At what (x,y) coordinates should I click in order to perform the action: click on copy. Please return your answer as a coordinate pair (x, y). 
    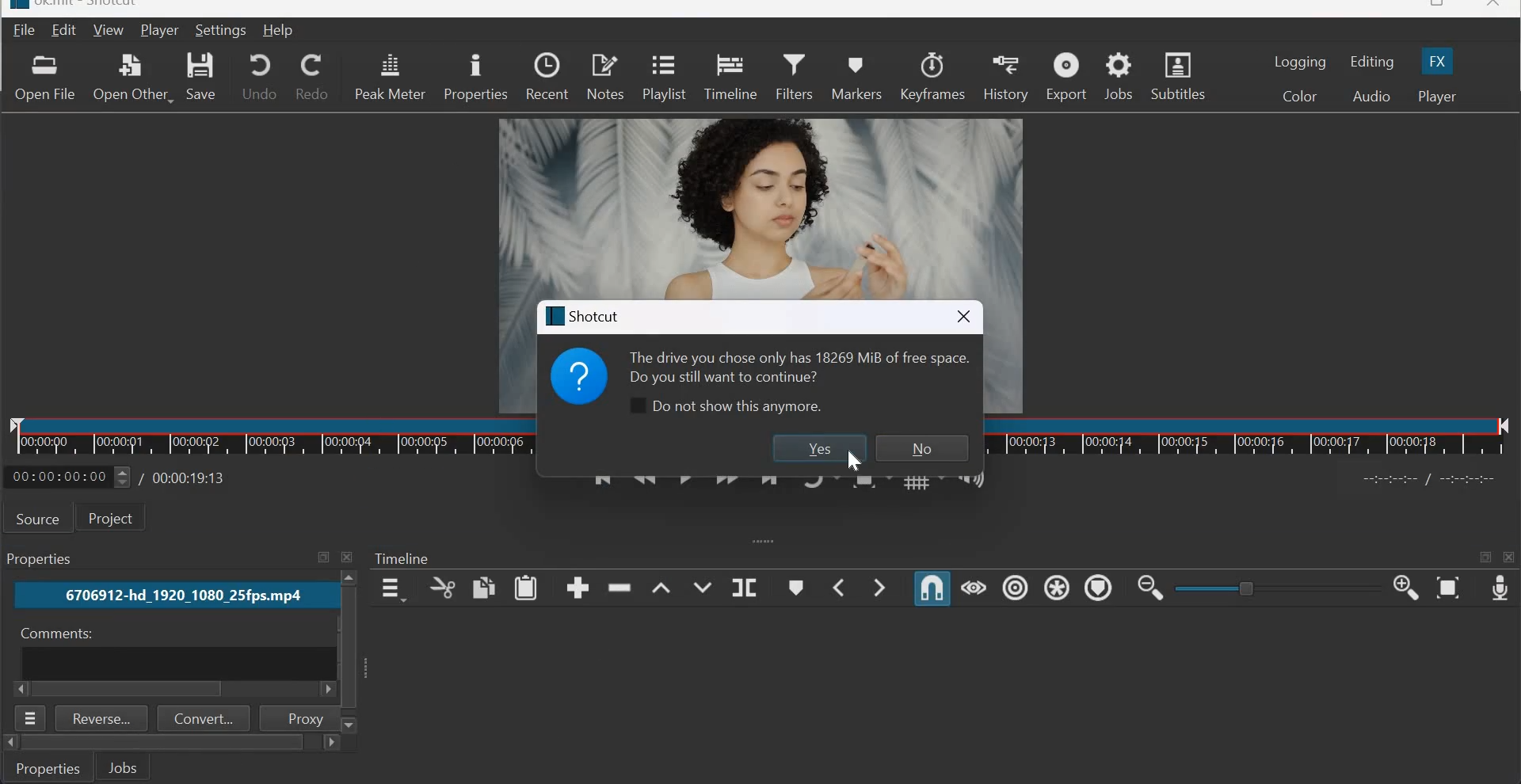
    Looking at the image, I should click on (483, 587).